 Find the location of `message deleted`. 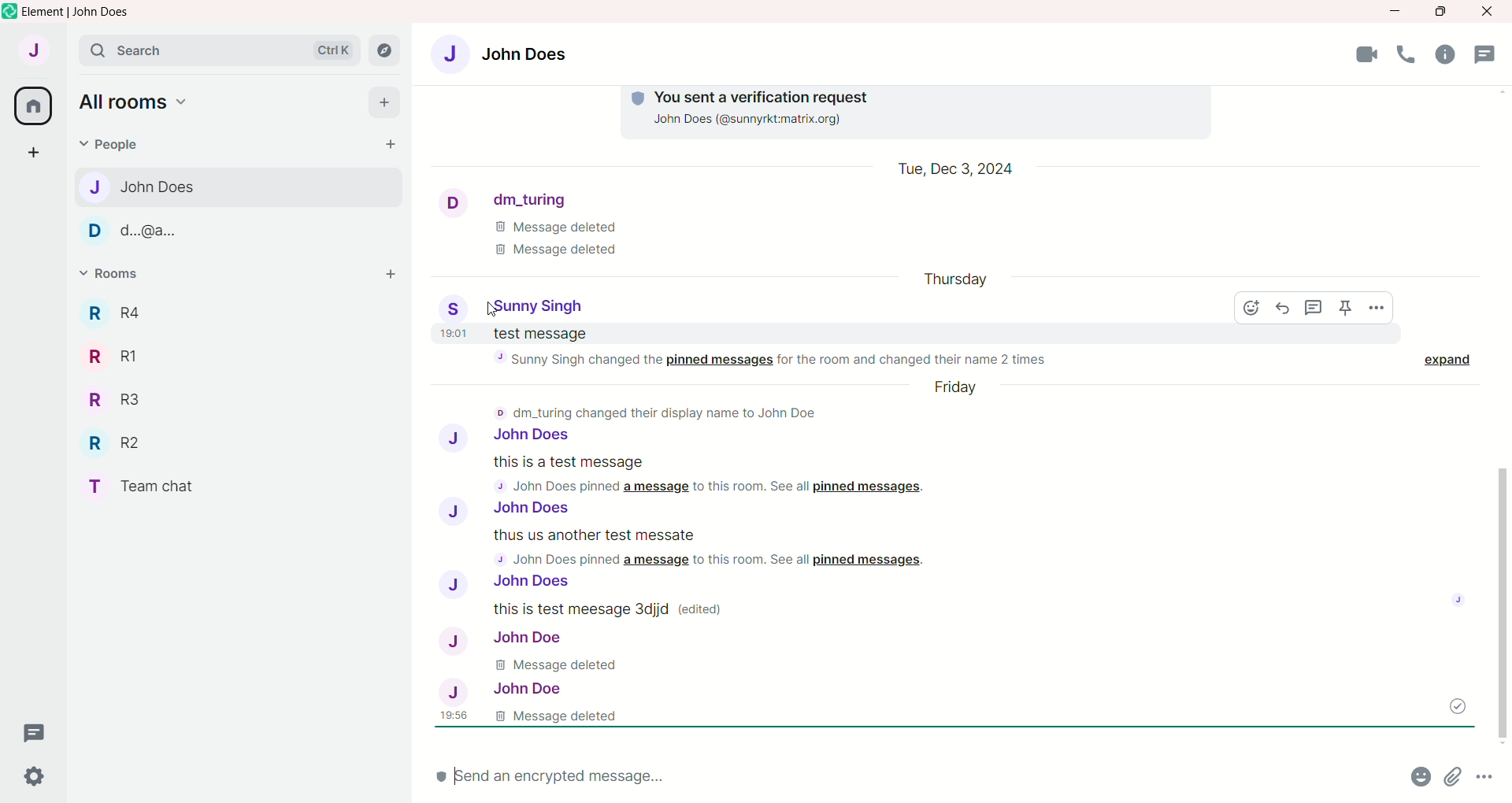

message deleted is located at coordinates (580, 664).